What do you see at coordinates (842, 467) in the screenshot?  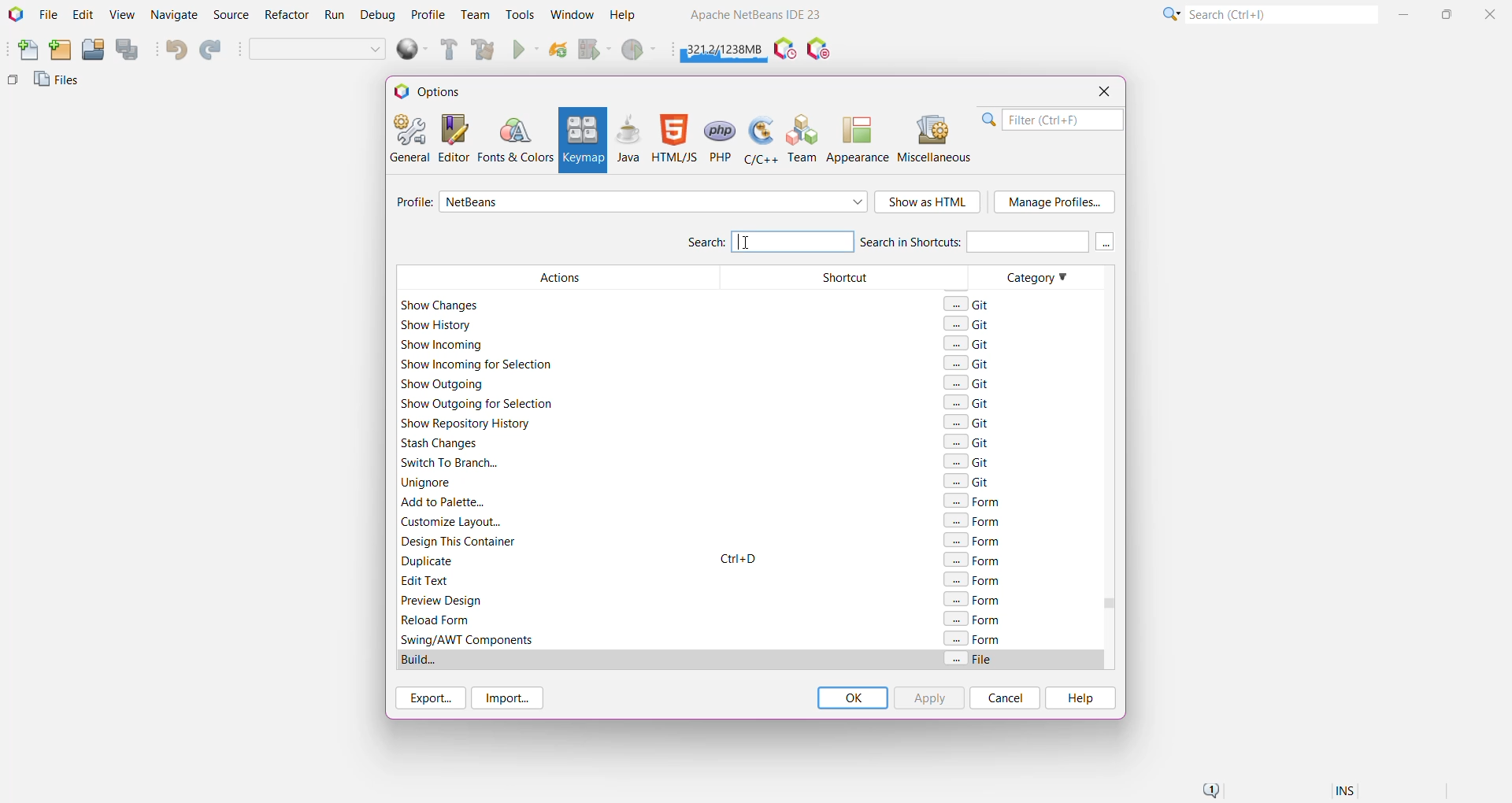 I see `Shortcut` at bounding box center [842, 467].